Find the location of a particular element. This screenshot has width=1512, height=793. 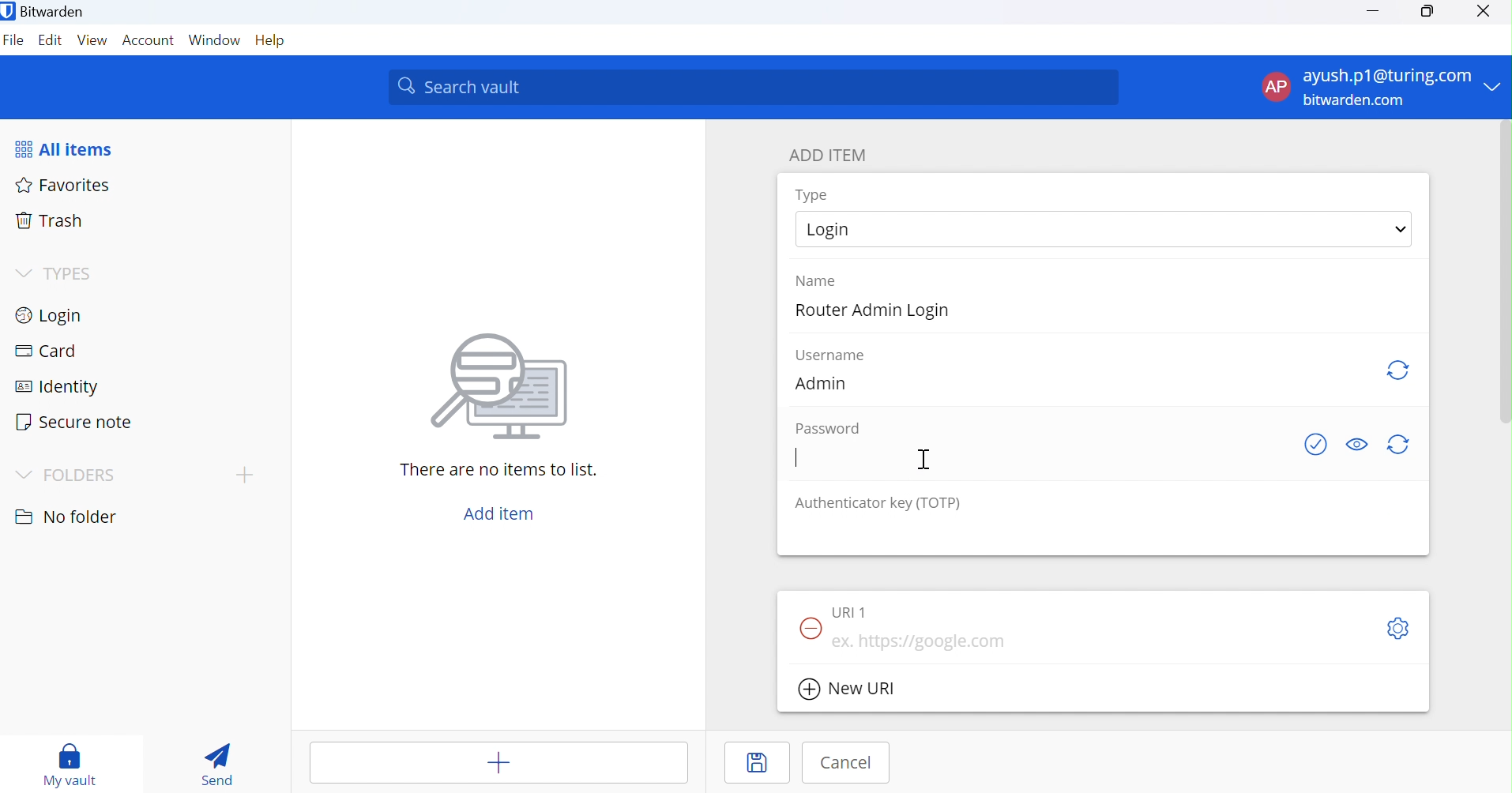

Identity is located at coordinates (65, 385).